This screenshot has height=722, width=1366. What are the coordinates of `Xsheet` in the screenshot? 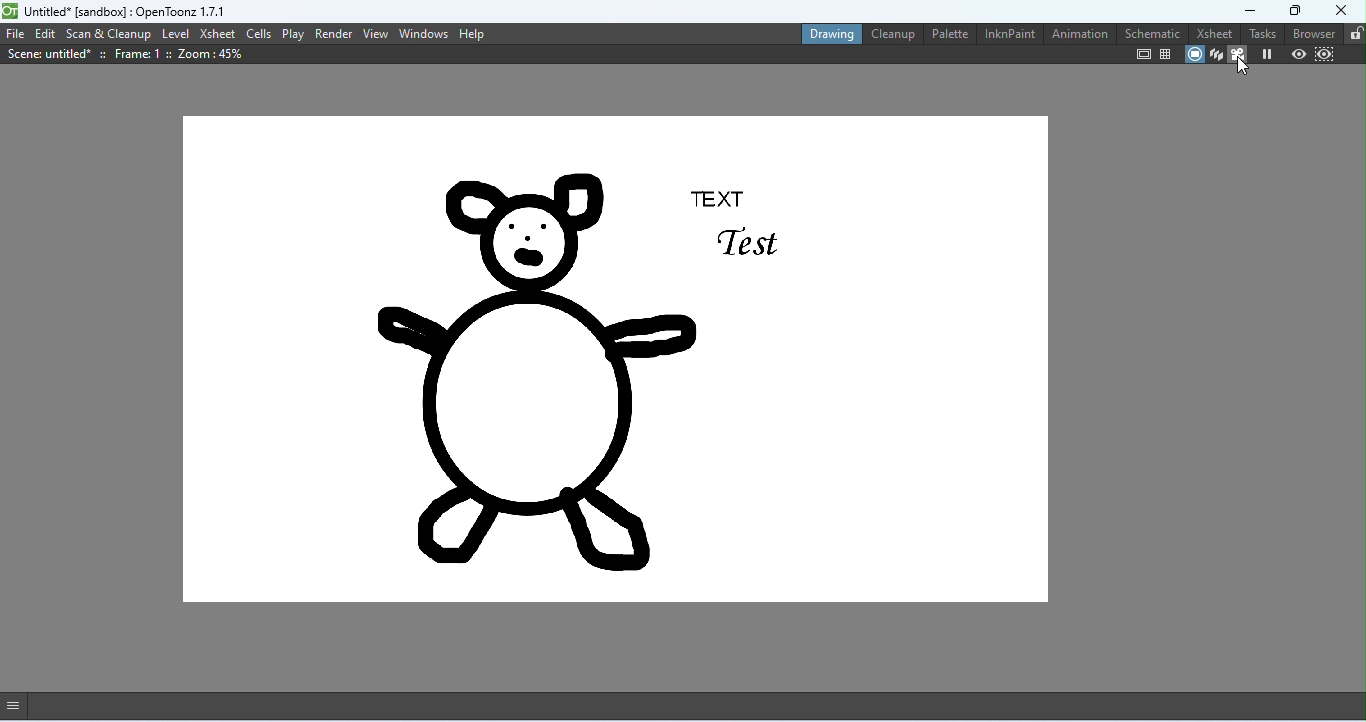 It's located at (1210, 32).